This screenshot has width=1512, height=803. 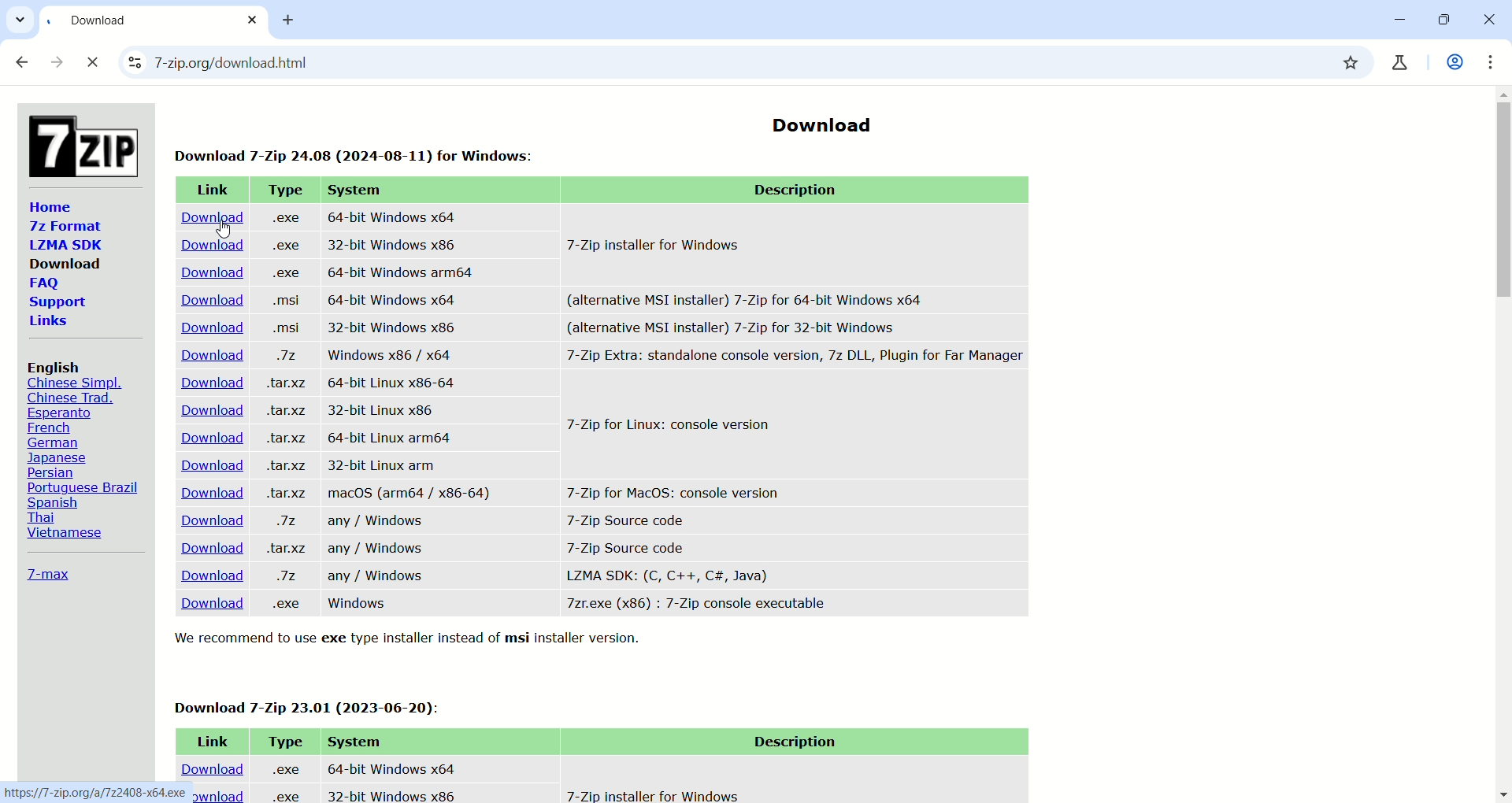 I want to click on Vietnamese, so click(x=61, y=535).